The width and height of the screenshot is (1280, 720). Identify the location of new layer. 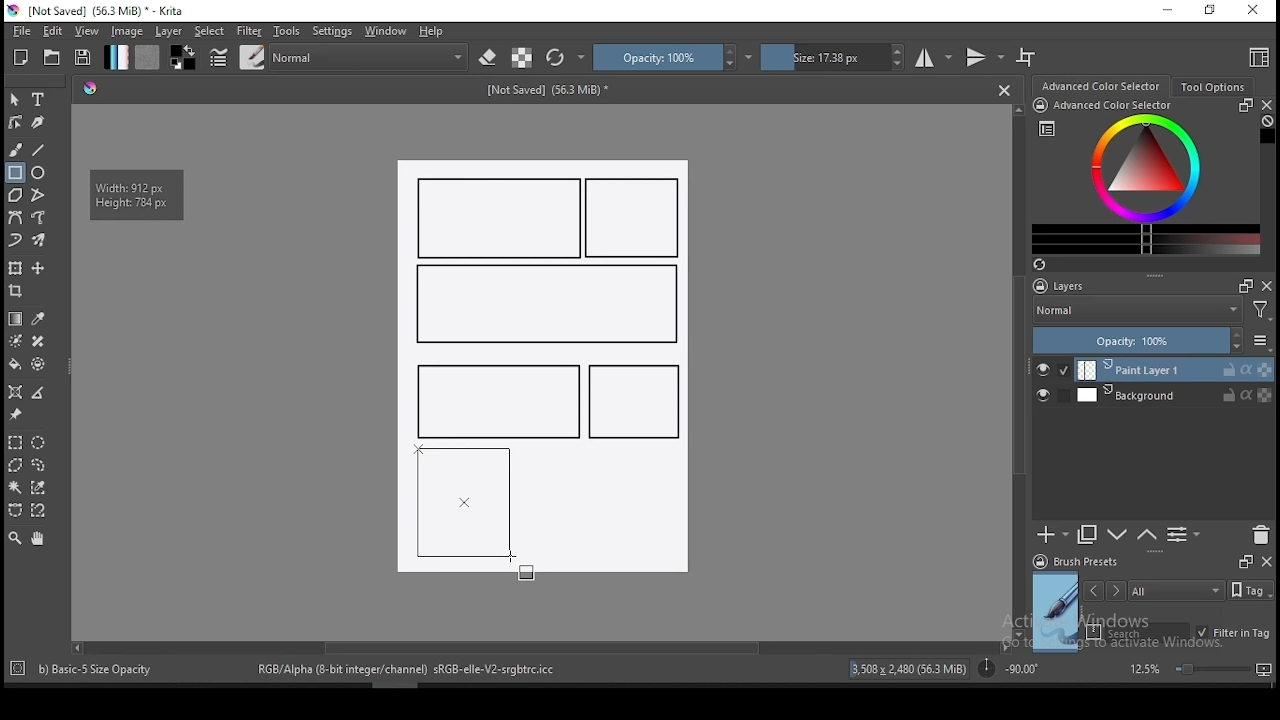
(1053, 534).